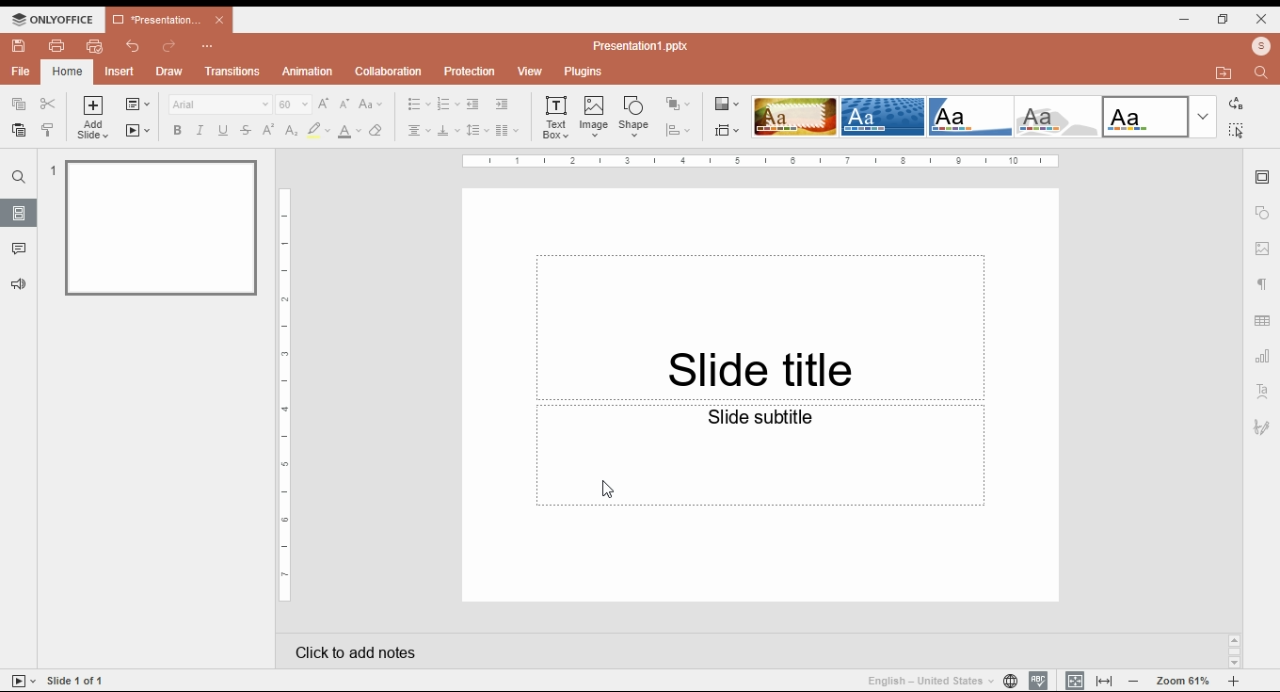  What do you see at coordinates (1146, 116) in the screenshot?
I see `slide them option` at bounding box center [1146, 116].